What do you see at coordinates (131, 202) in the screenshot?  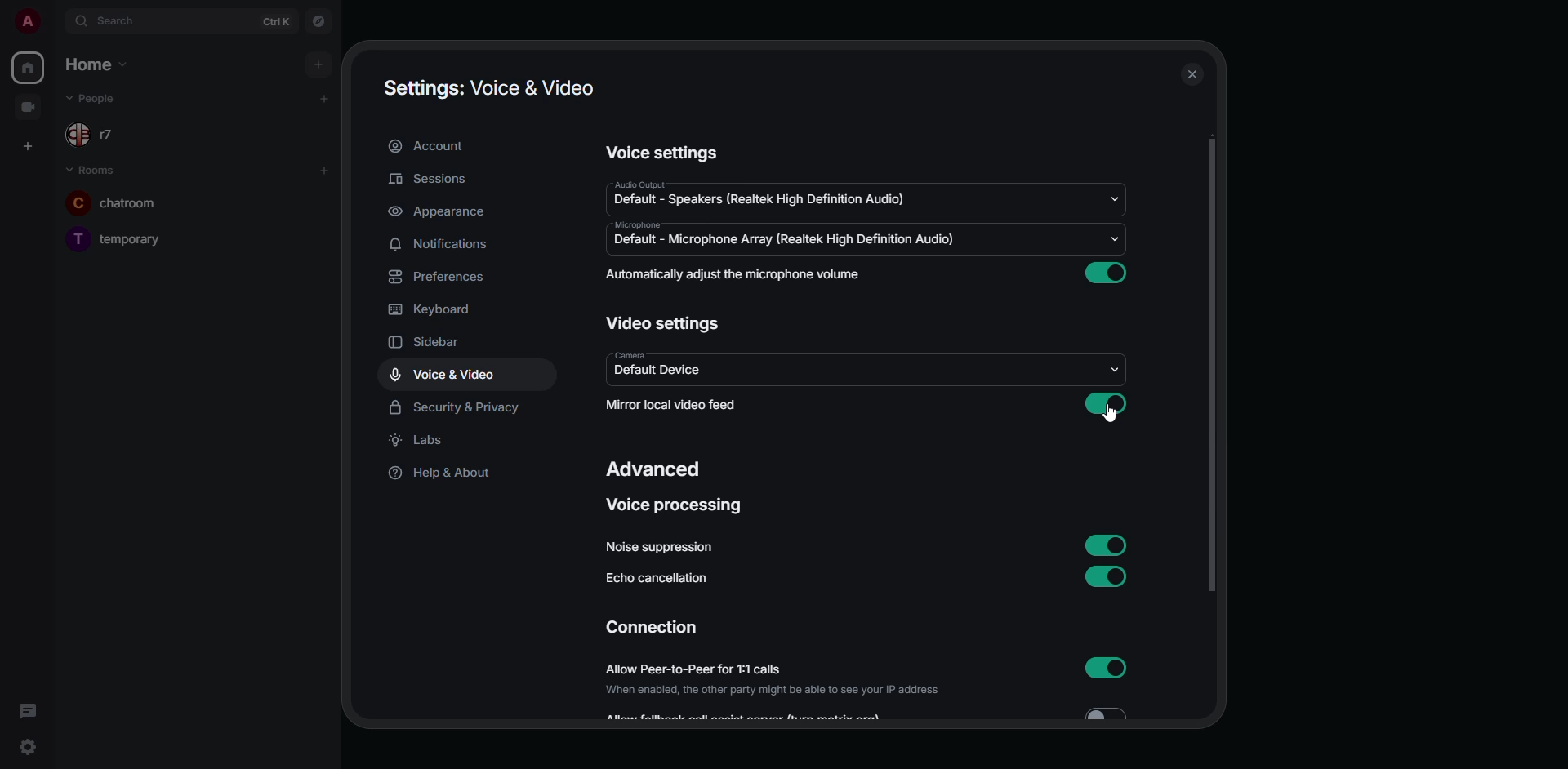 I see `chatroom` at bounding box center [131, 202].